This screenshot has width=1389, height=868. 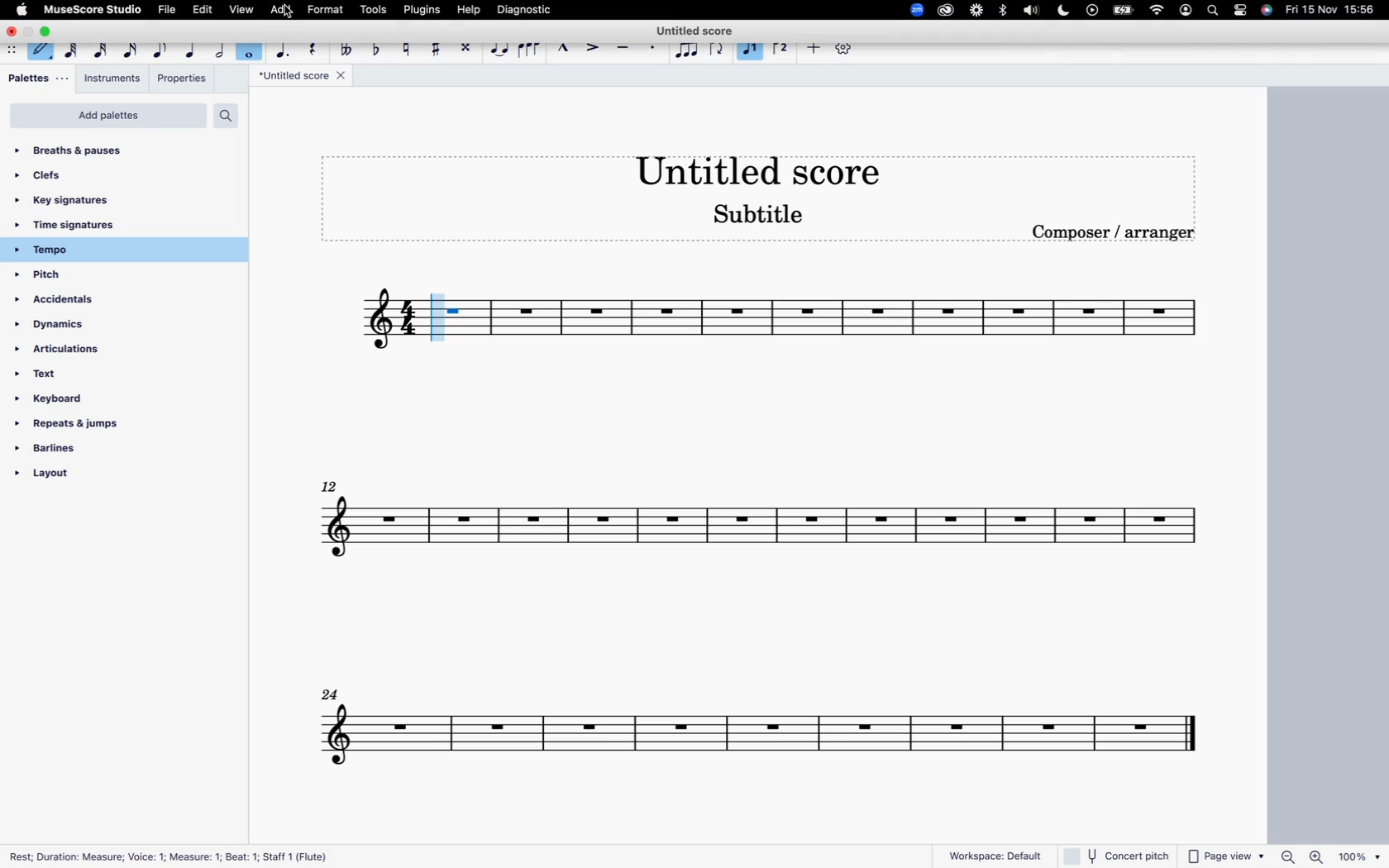 I want to click on settings, so click(x=1242, y=12).